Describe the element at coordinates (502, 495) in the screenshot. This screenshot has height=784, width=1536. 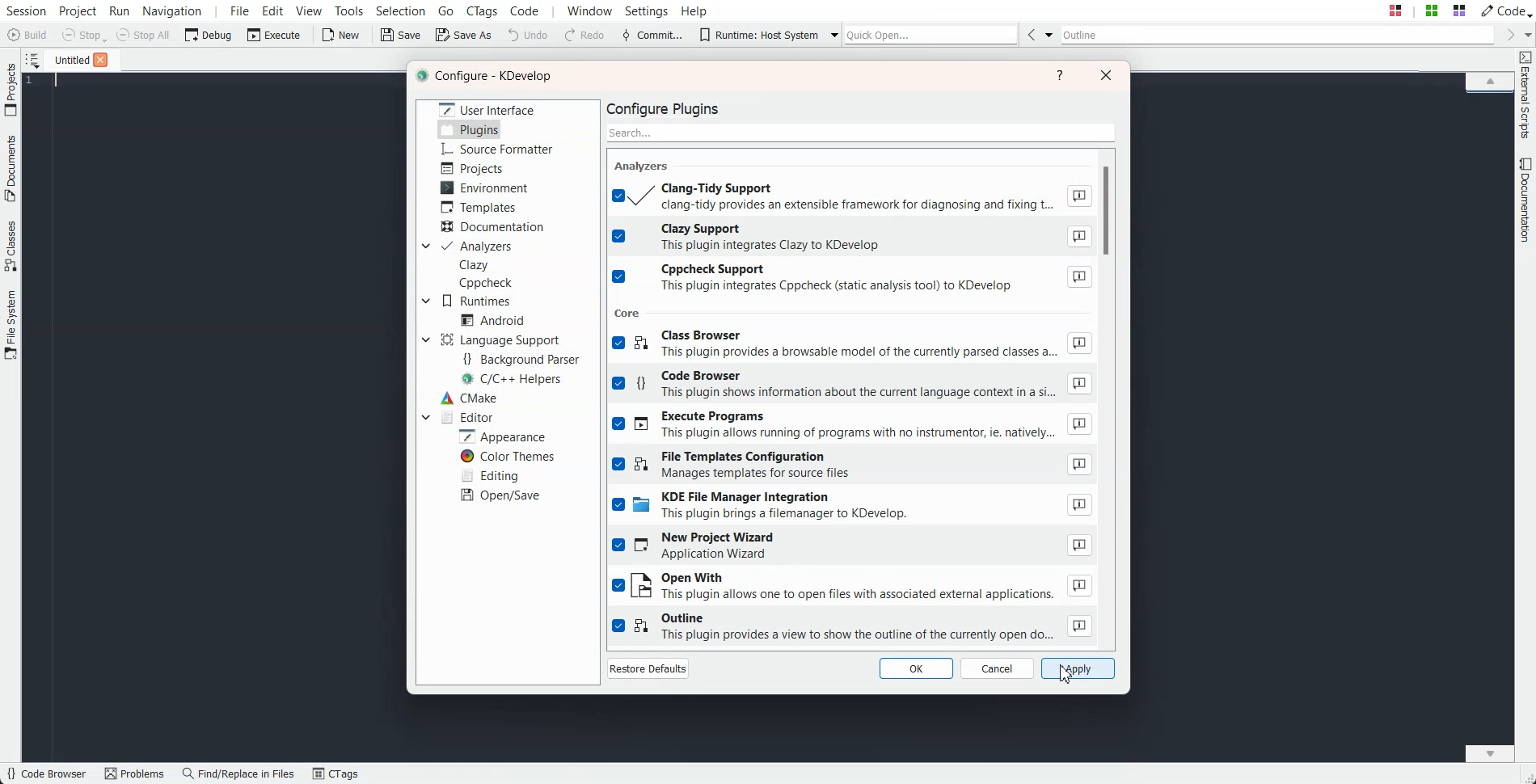
I see `Open/Save` at that location.